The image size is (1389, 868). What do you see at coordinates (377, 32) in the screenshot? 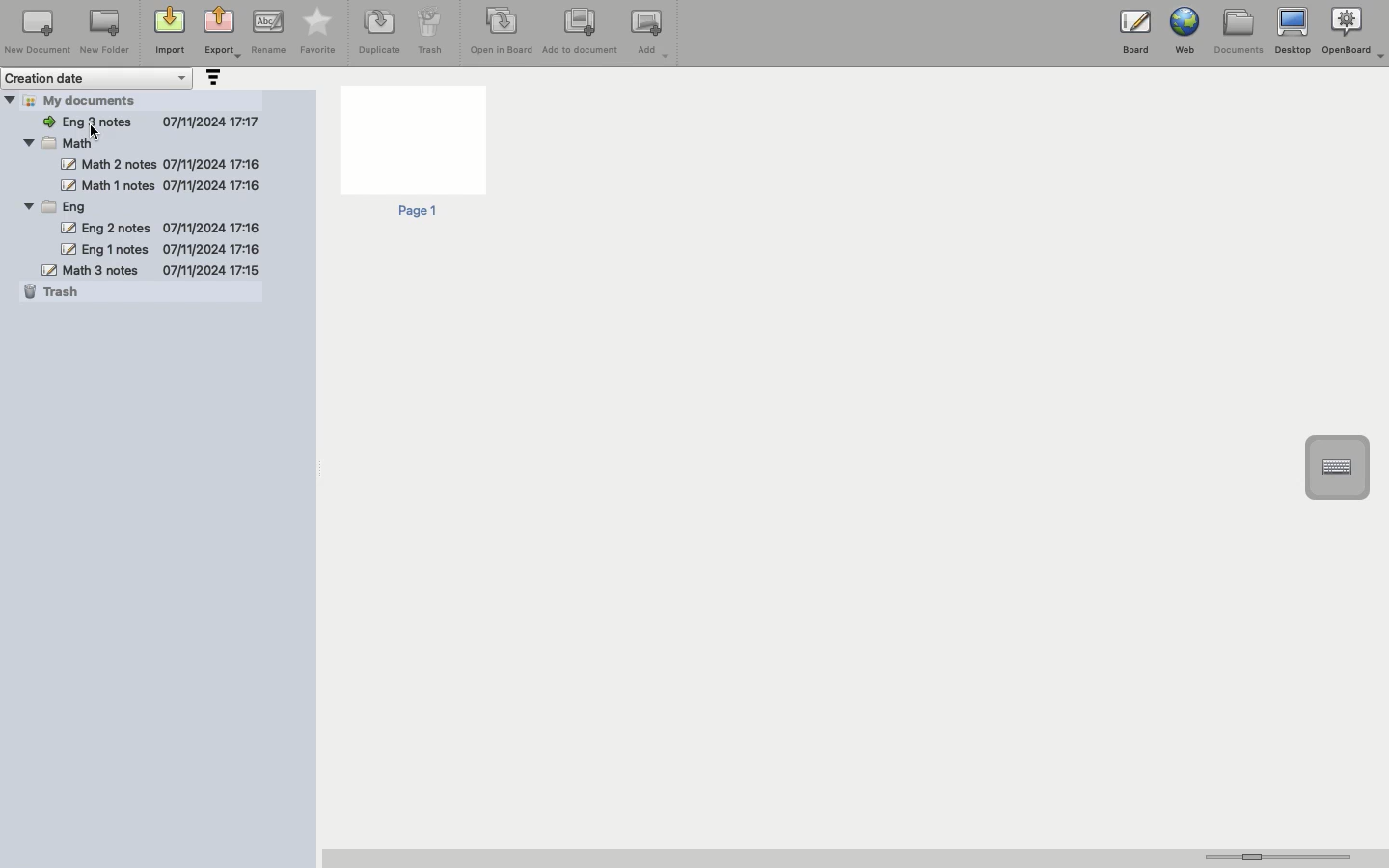
I see `Duplicate` at bounding box center [377, 32].